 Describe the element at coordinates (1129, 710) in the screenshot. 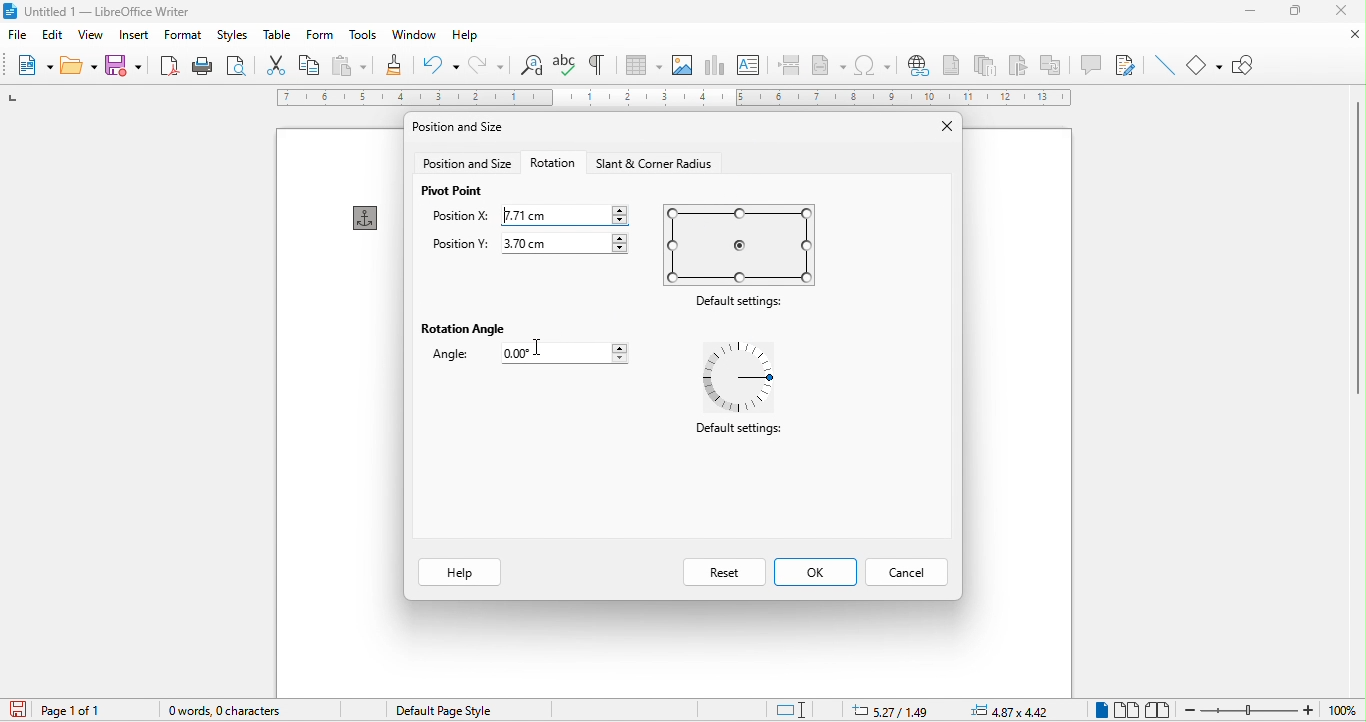

I see `multiple page view` at that location.